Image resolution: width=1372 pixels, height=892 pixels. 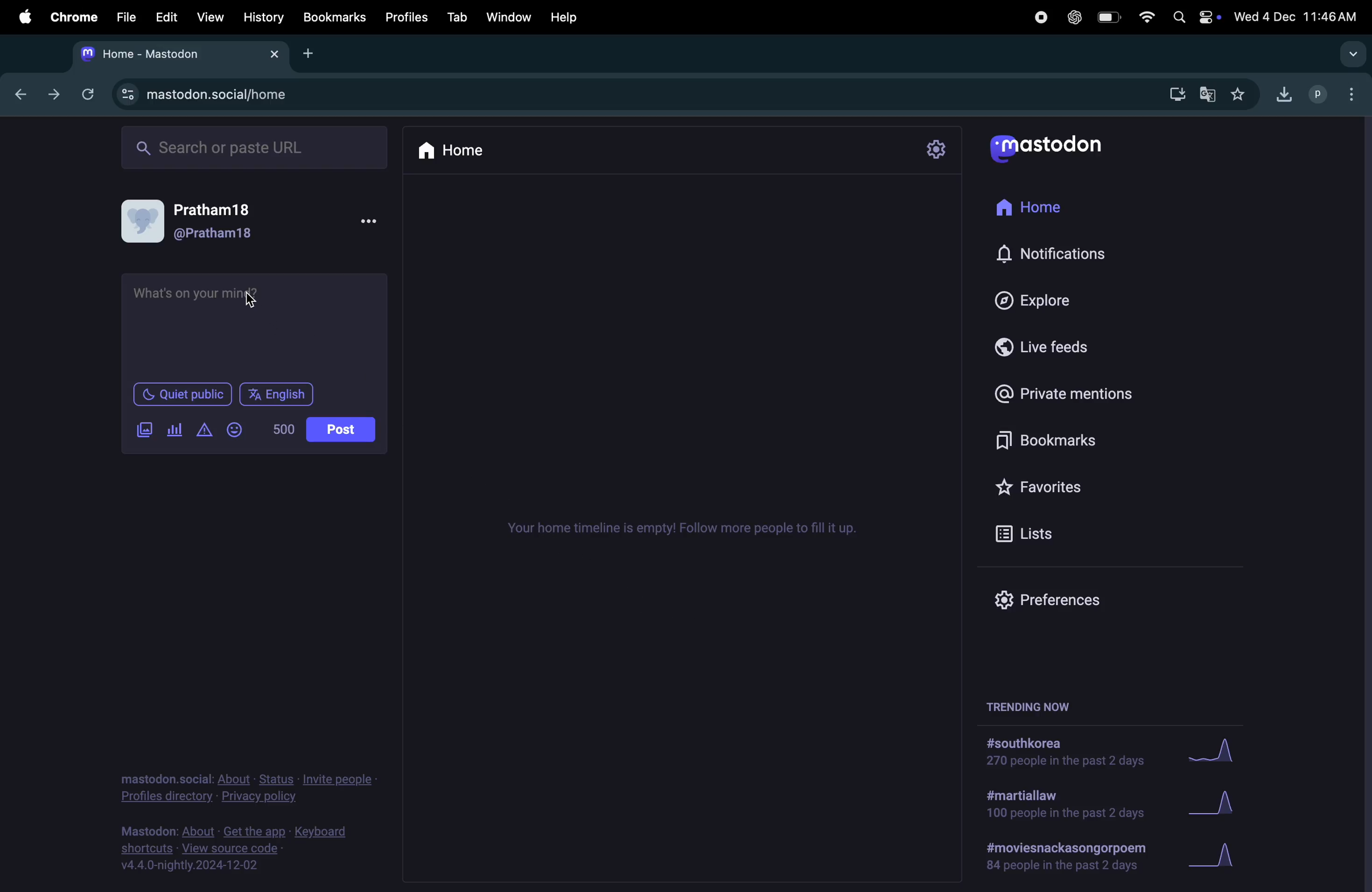 I want to click on user profile, so click(x=191, y=221).